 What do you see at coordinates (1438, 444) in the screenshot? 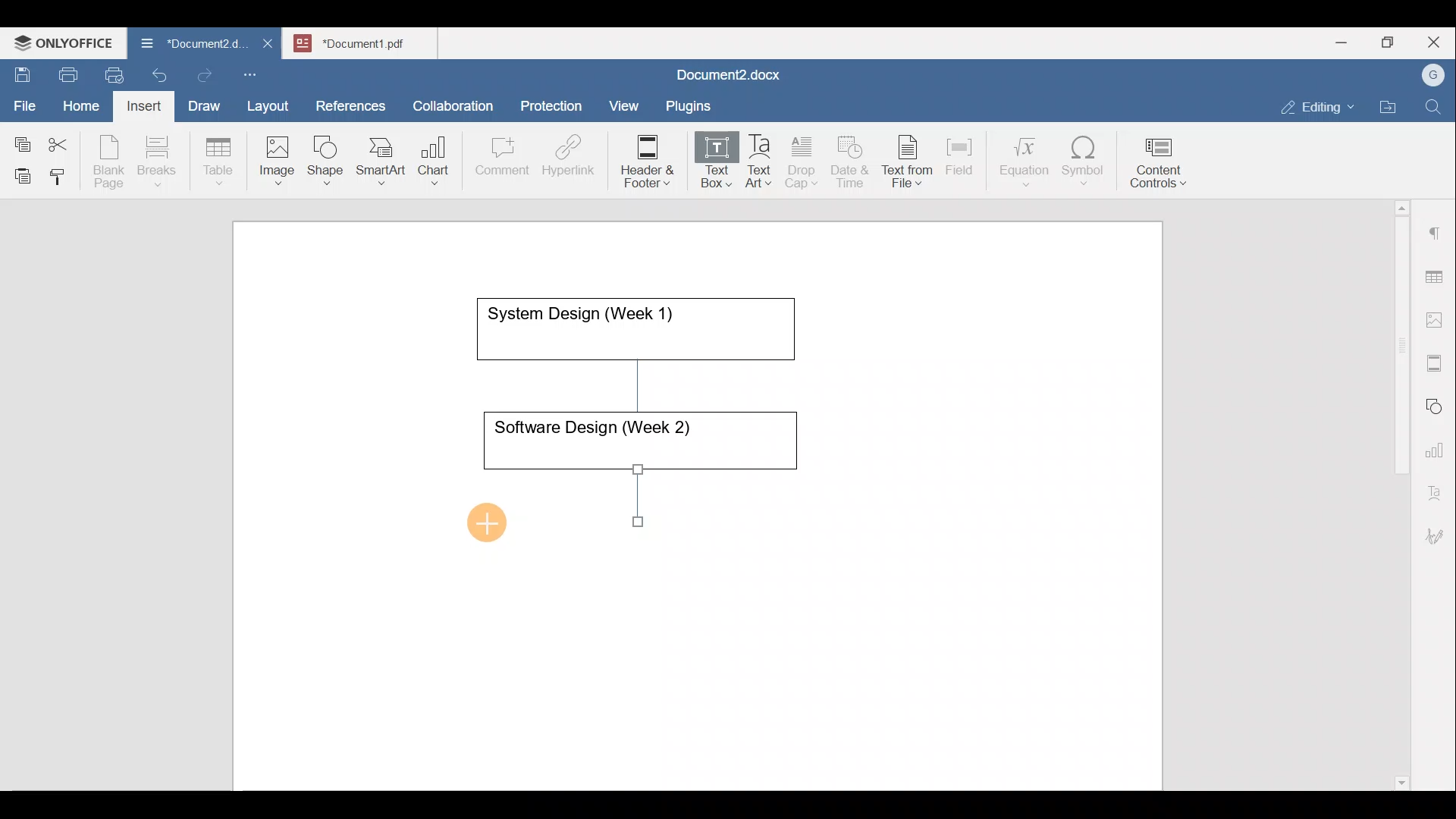
I see `Chart settings` at bounding box center [1438, 444].